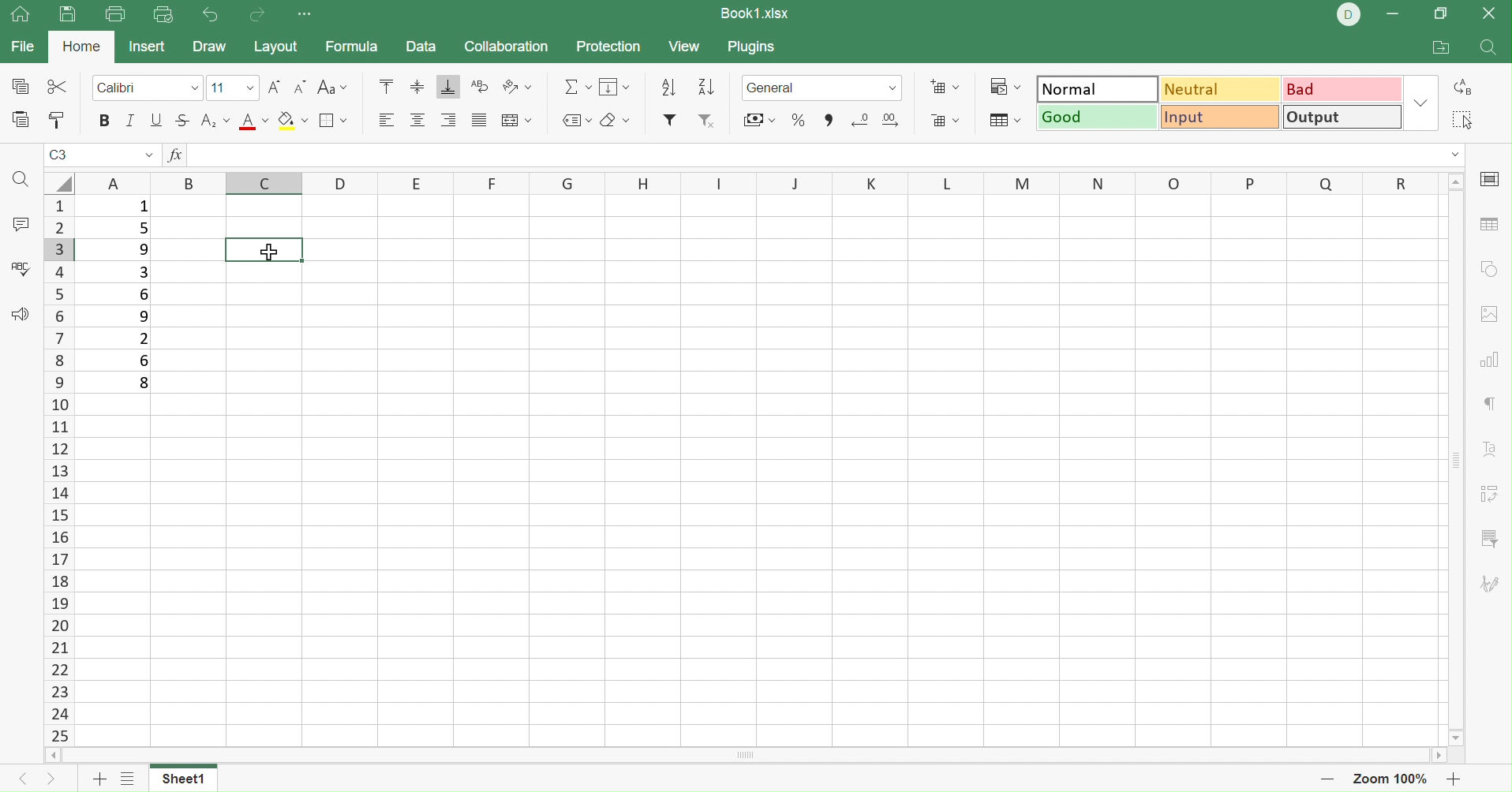  I want to click on Save, so click(68, 17).